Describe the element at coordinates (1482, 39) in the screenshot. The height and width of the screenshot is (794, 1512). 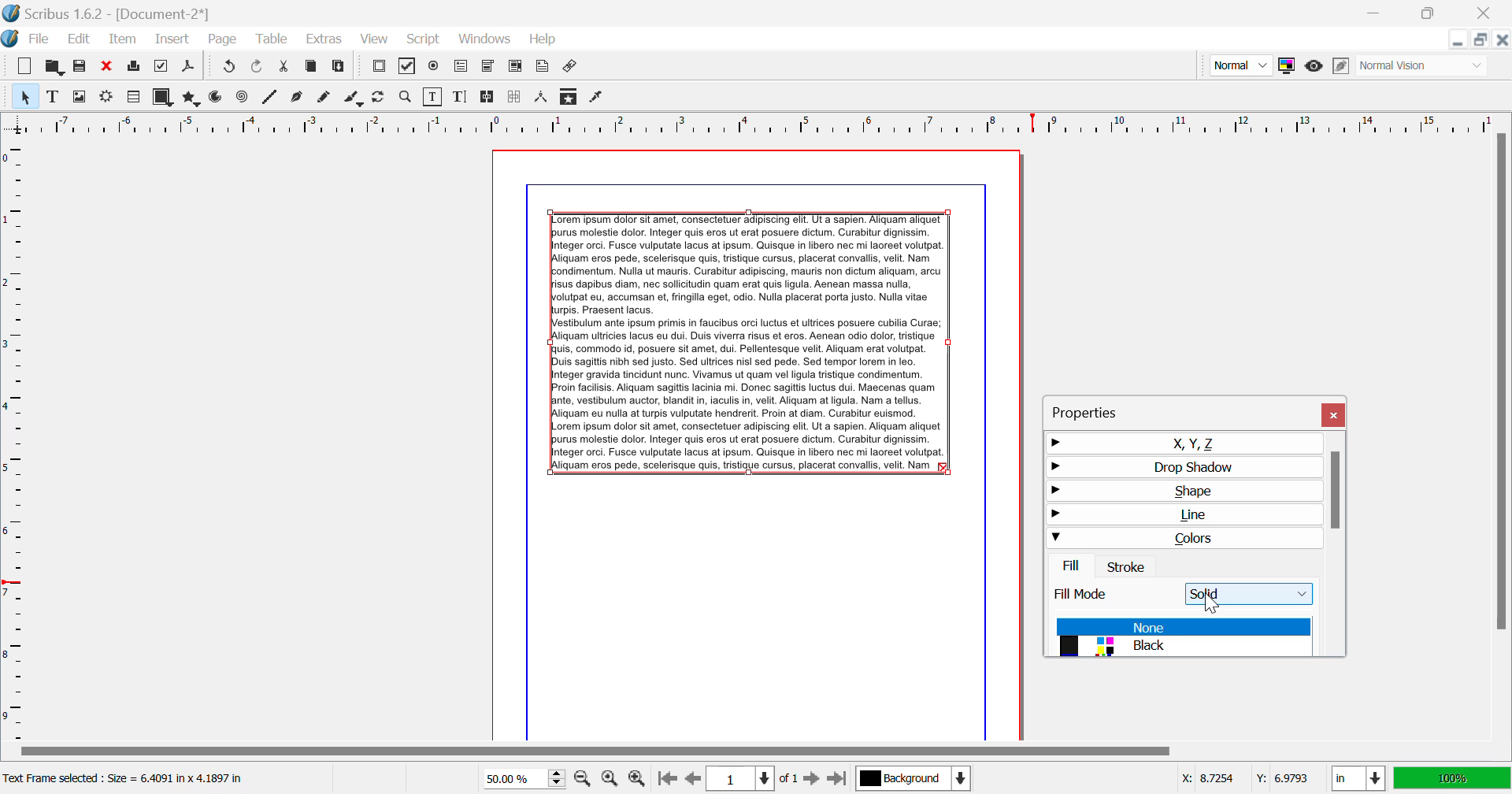
I see `Minimize` at that location.